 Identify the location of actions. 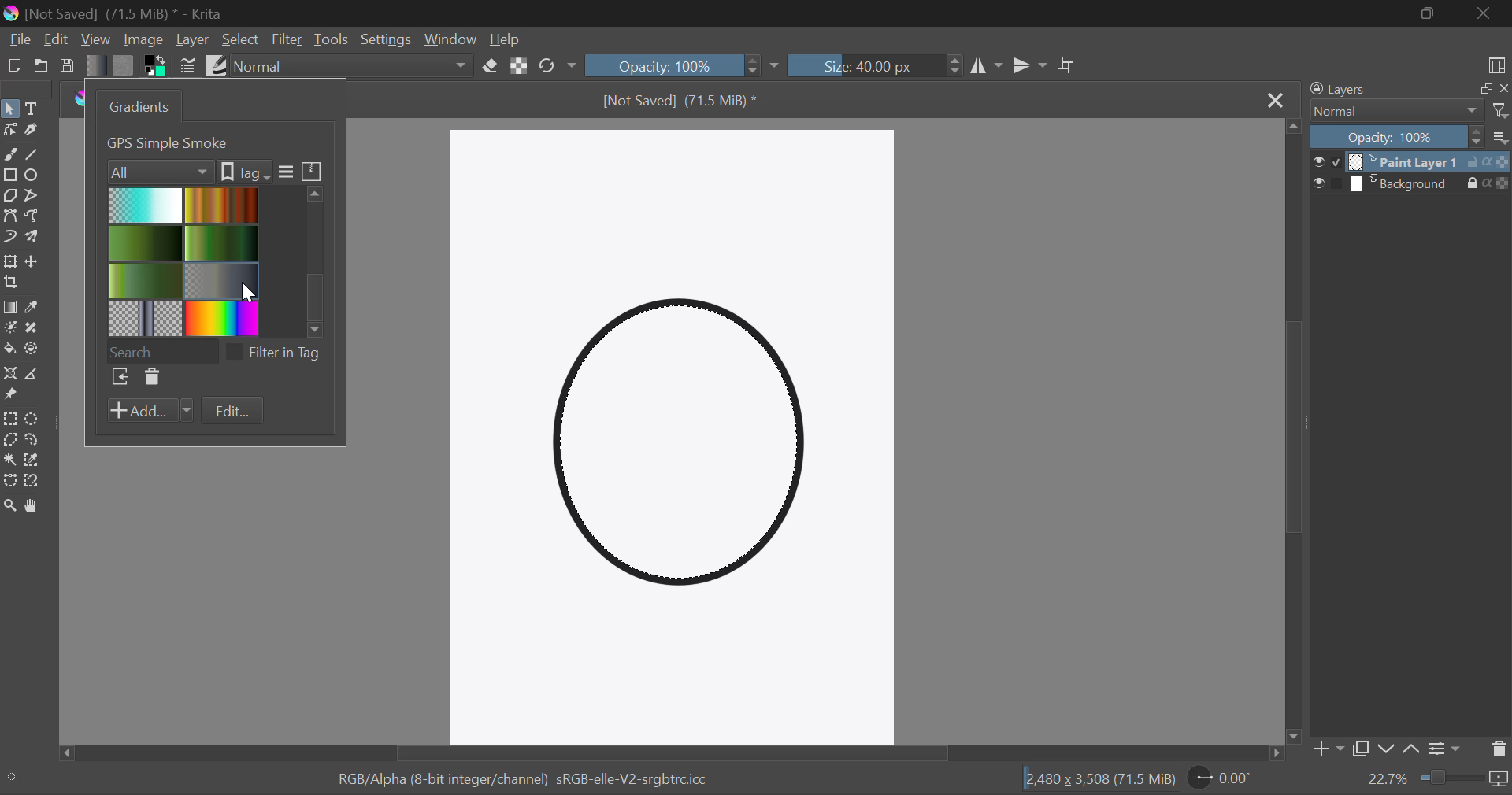
(1488, 183).